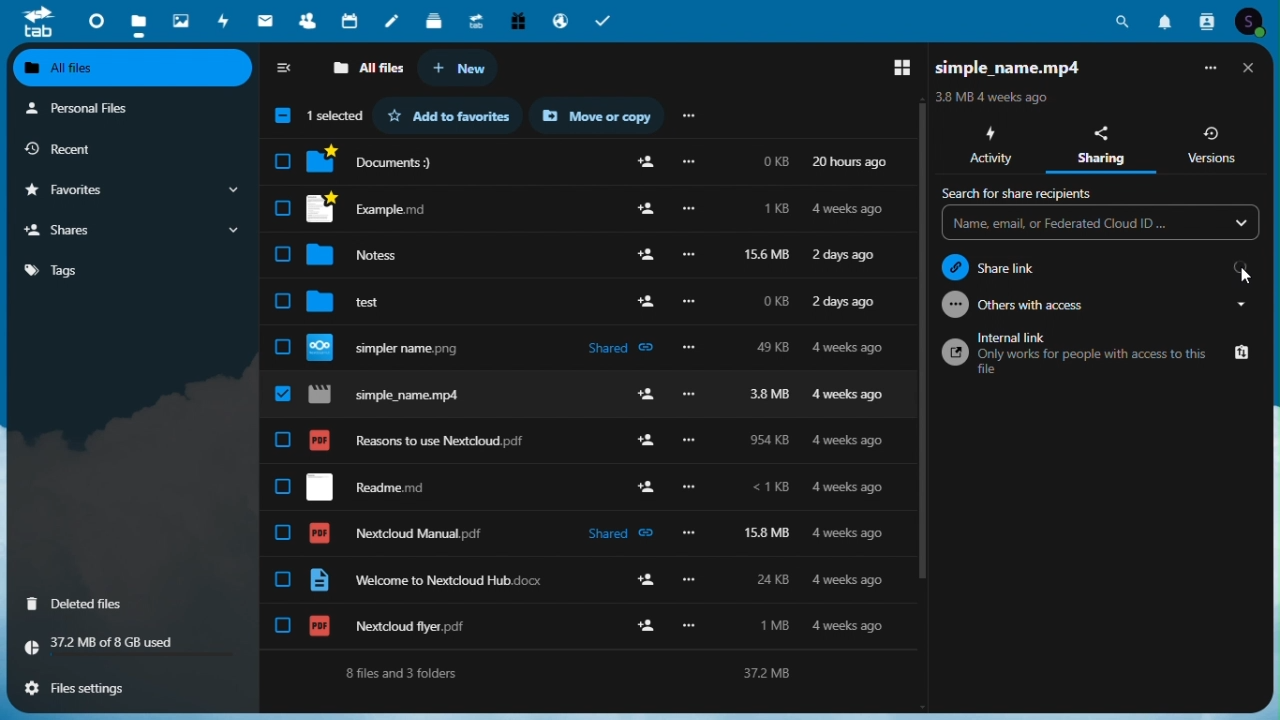 This screenshot has height=720, width=1280. Describe the element at coordinates (585, 534) in the screenshot. I see `files` at that location.